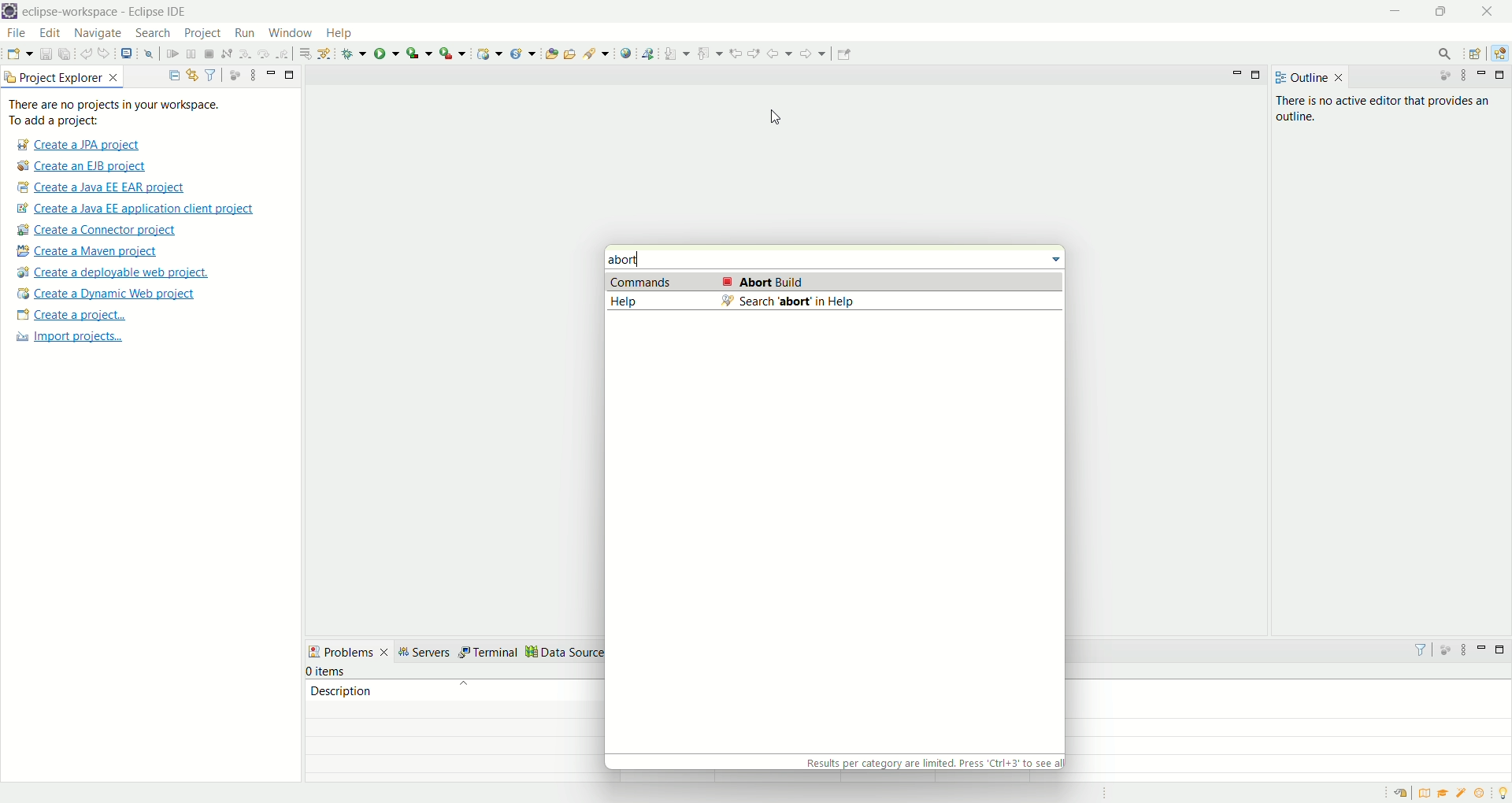 Image resolution: width=1512 pixels, height=803 pixels. Describe the element at coordinates (387, 55) in the screenshot. I see `run` at that location.